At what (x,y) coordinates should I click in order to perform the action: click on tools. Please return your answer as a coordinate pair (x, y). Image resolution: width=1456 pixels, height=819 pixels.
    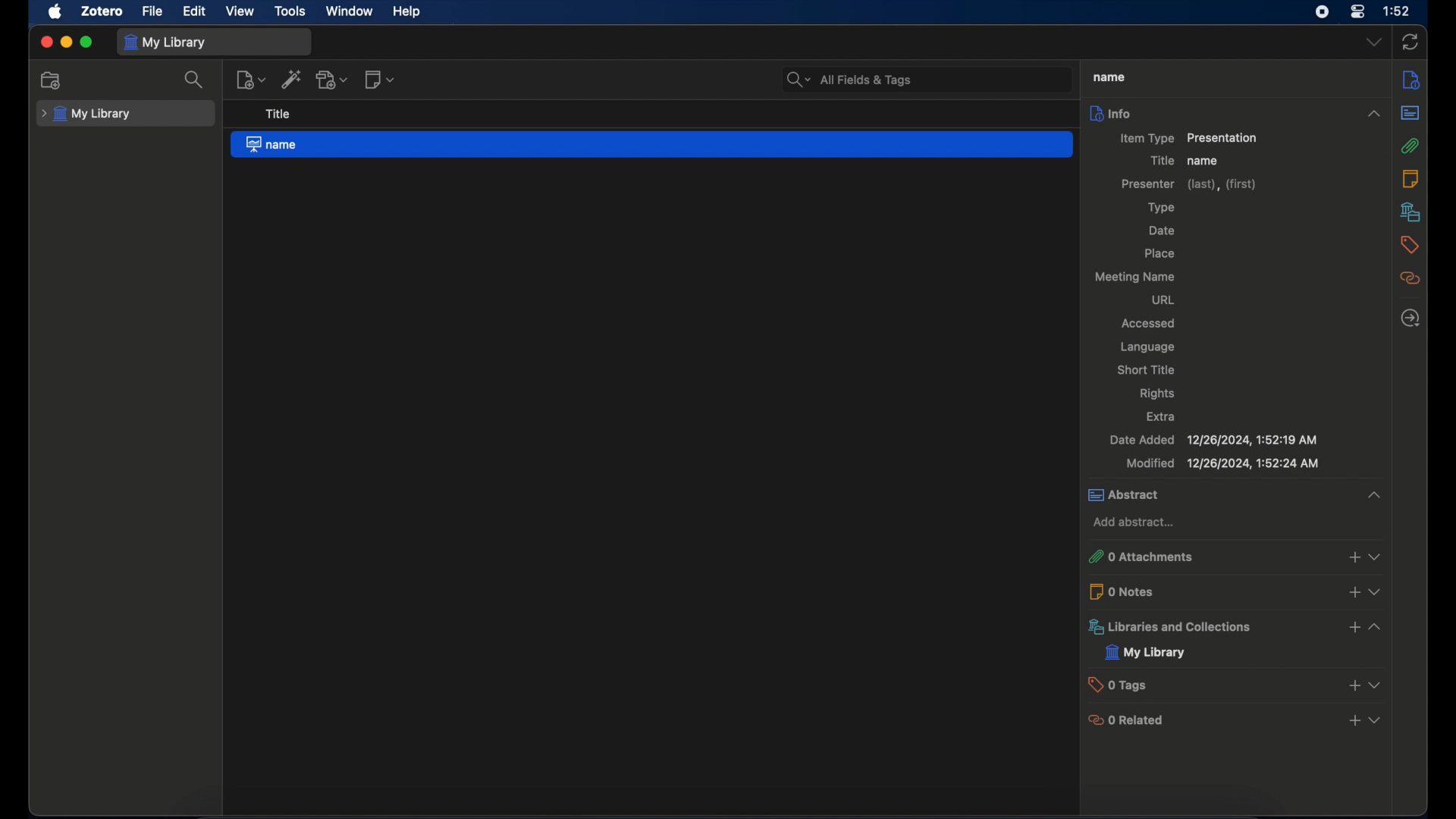
    Looking at the image, I should click on (290, 11).